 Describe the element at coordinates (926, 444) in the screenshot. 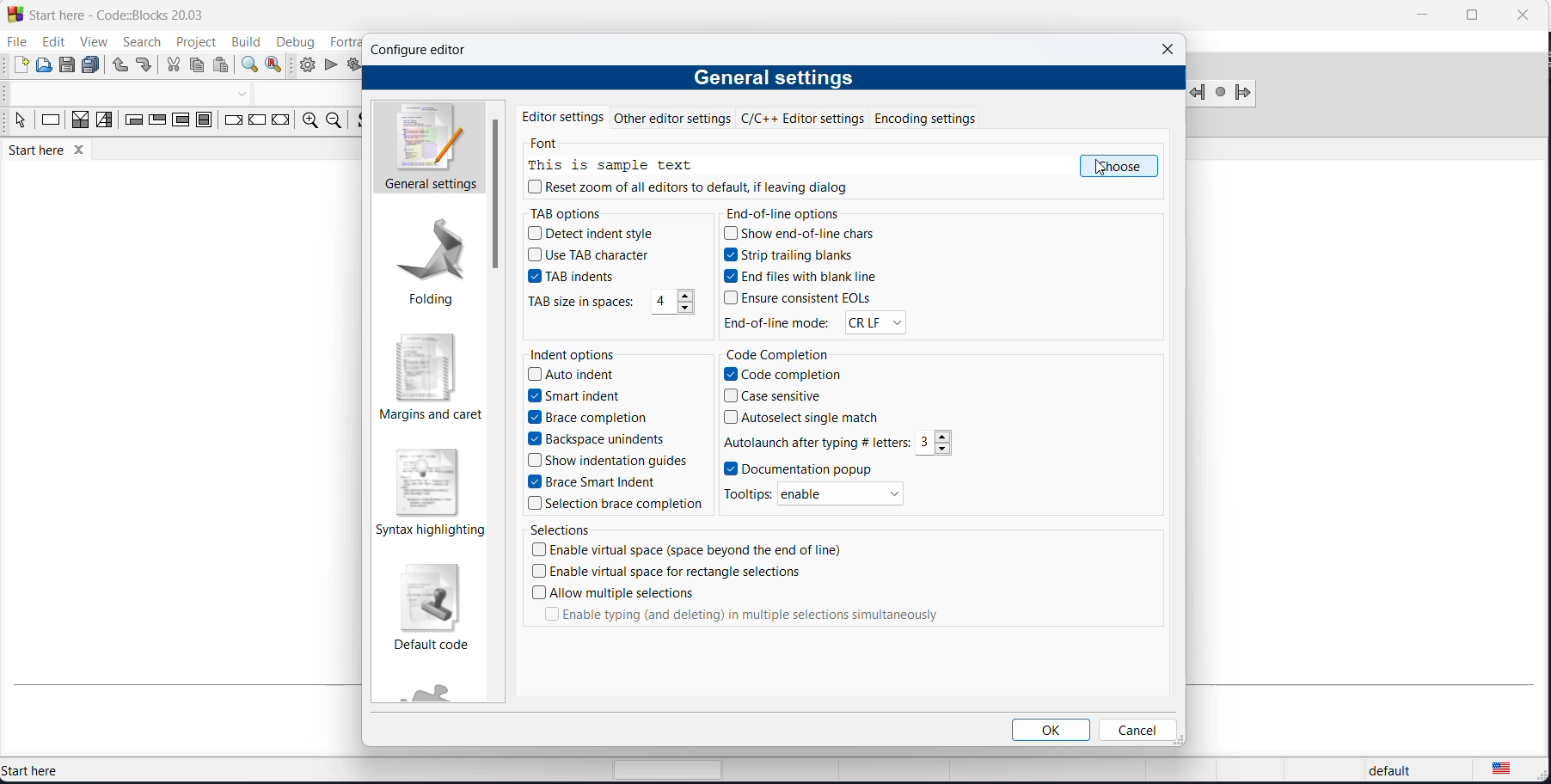

I see `autolaunch value` at that location.